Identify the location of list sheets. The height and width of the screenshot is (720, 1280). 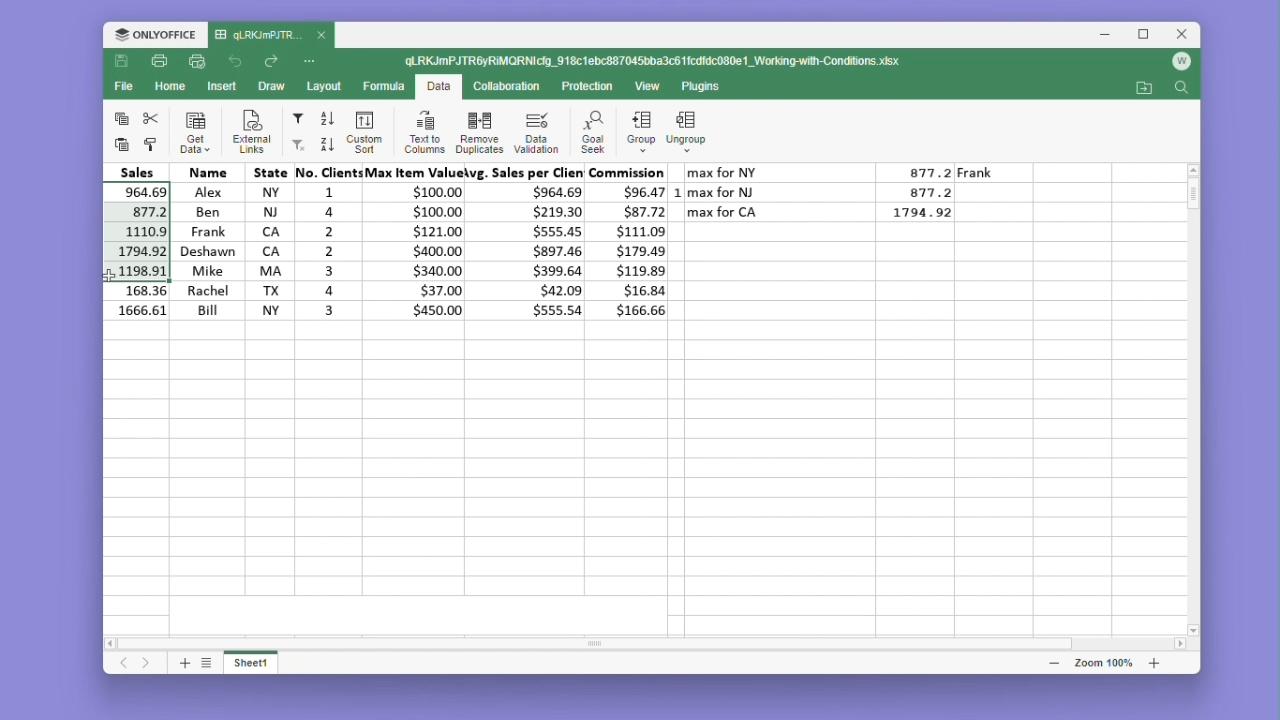
(207, 662).